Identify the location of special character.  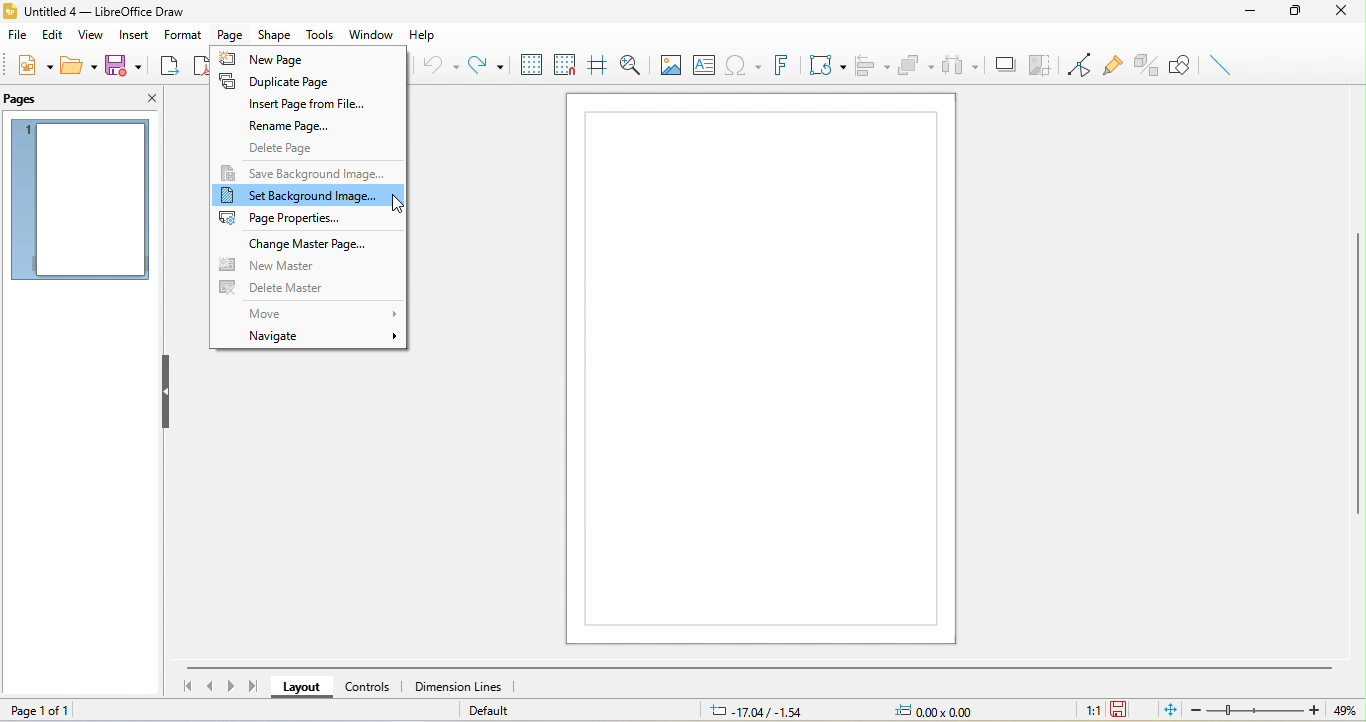
(743, 68).